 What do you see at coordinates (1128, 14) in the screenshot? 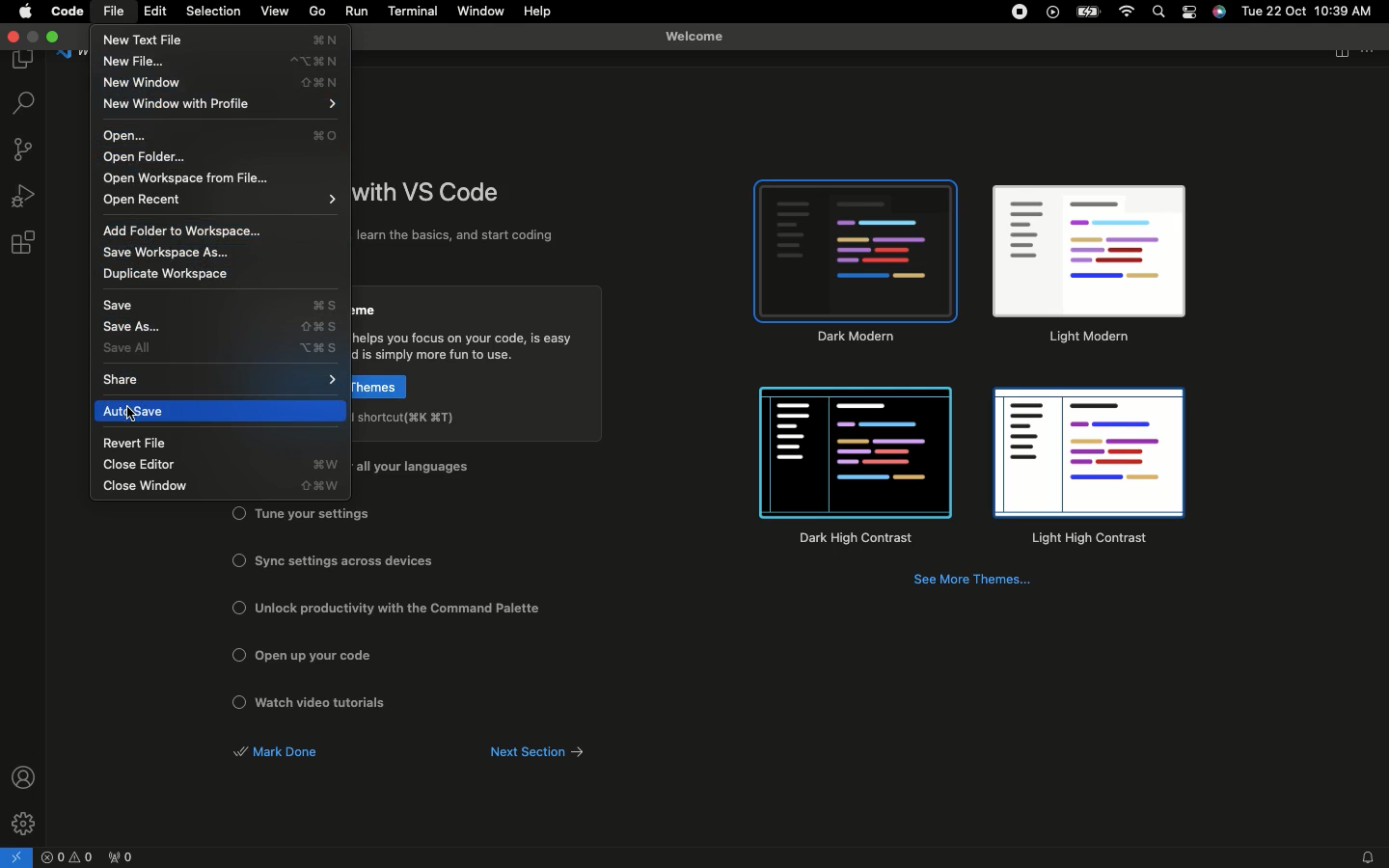
I see `Internet` at bounding box center [1128, 14].